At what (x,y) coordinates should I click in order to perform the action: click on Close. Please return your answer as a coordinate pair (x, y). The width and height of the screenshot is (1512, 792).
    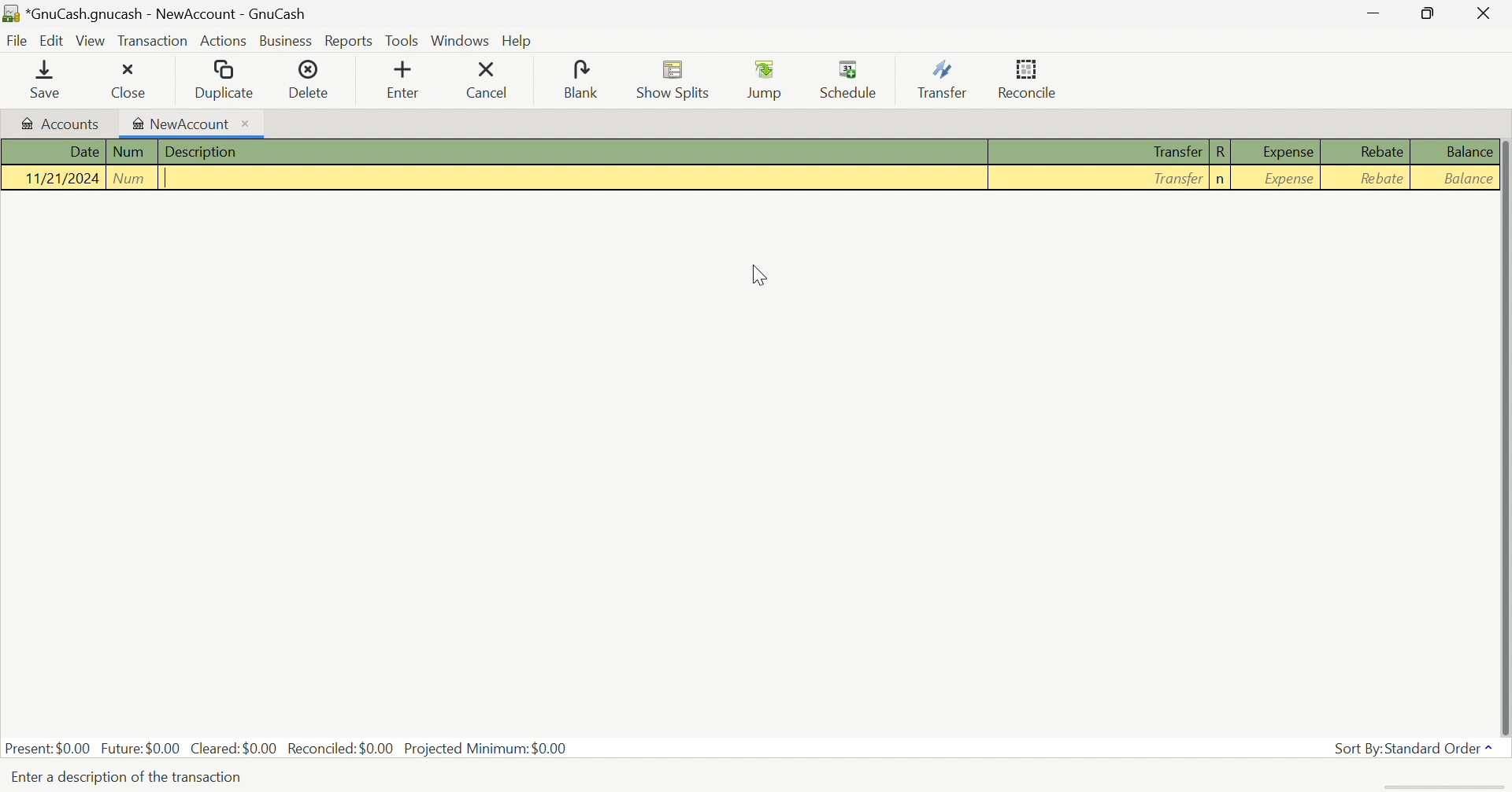
    Looking at the image, I should click on (1481, 15).